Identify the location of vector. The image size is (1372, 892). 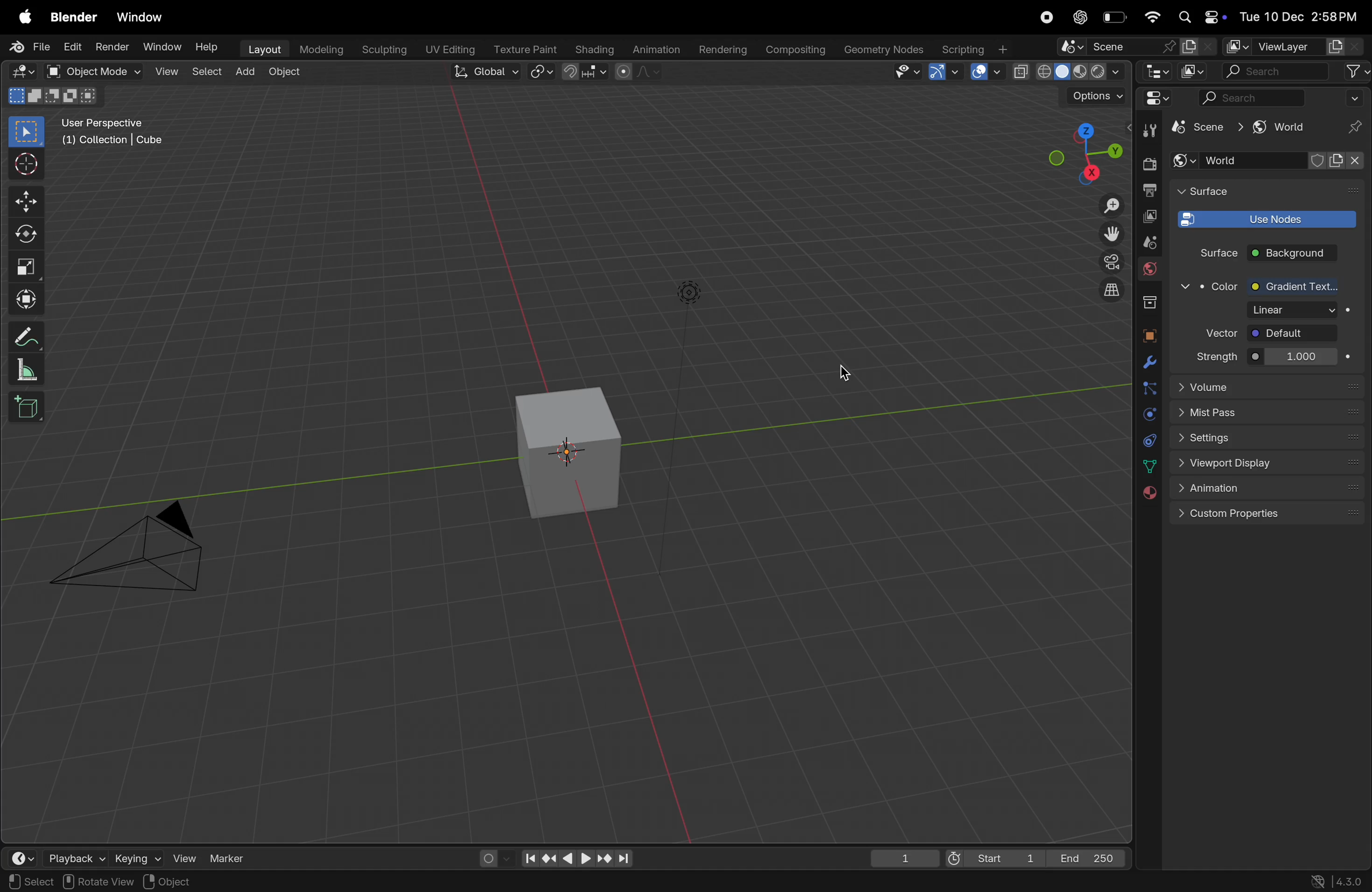
(1219, 333).